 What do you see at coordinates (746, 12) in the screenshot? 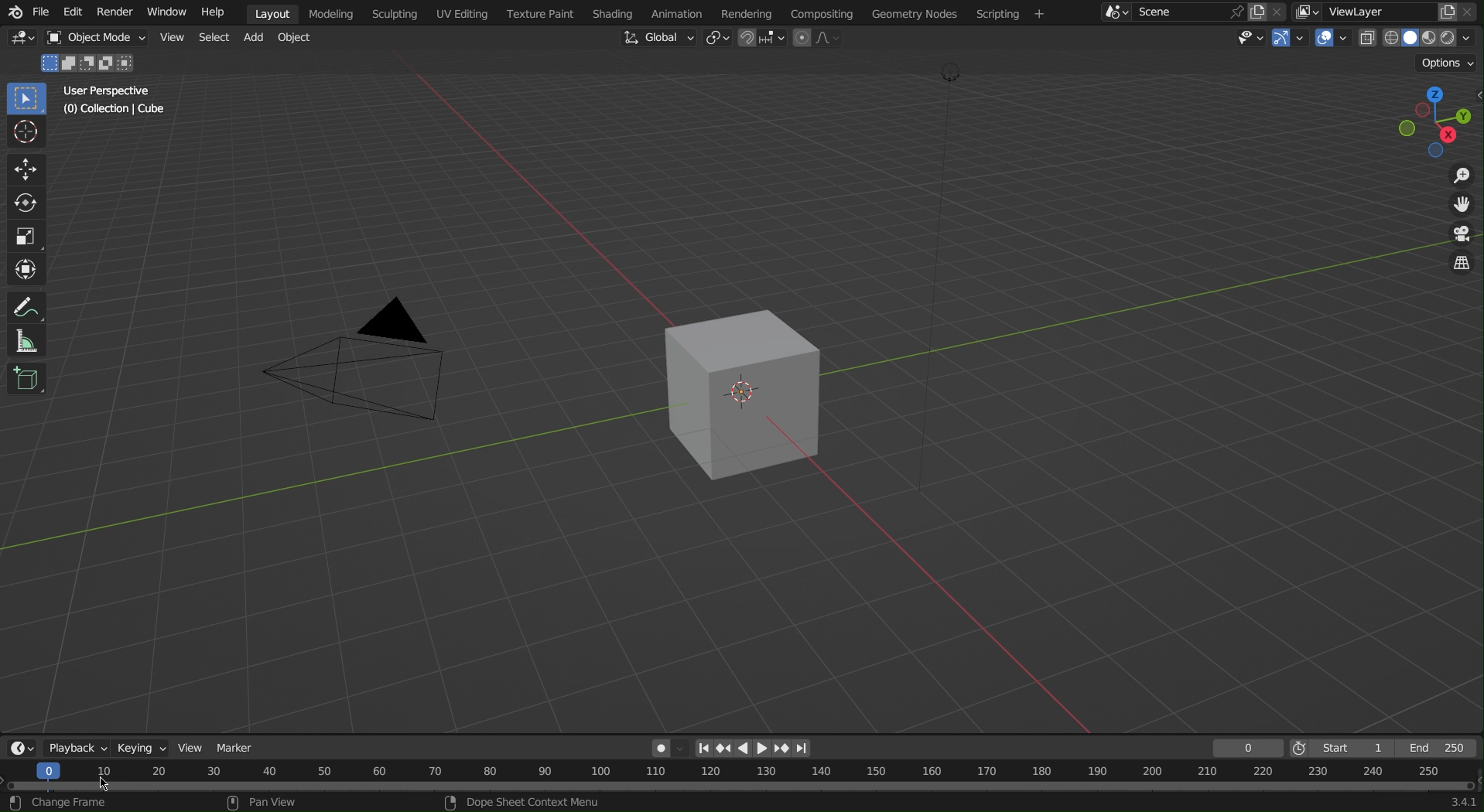
I see `Rendering` at bounding box center [746, 12].